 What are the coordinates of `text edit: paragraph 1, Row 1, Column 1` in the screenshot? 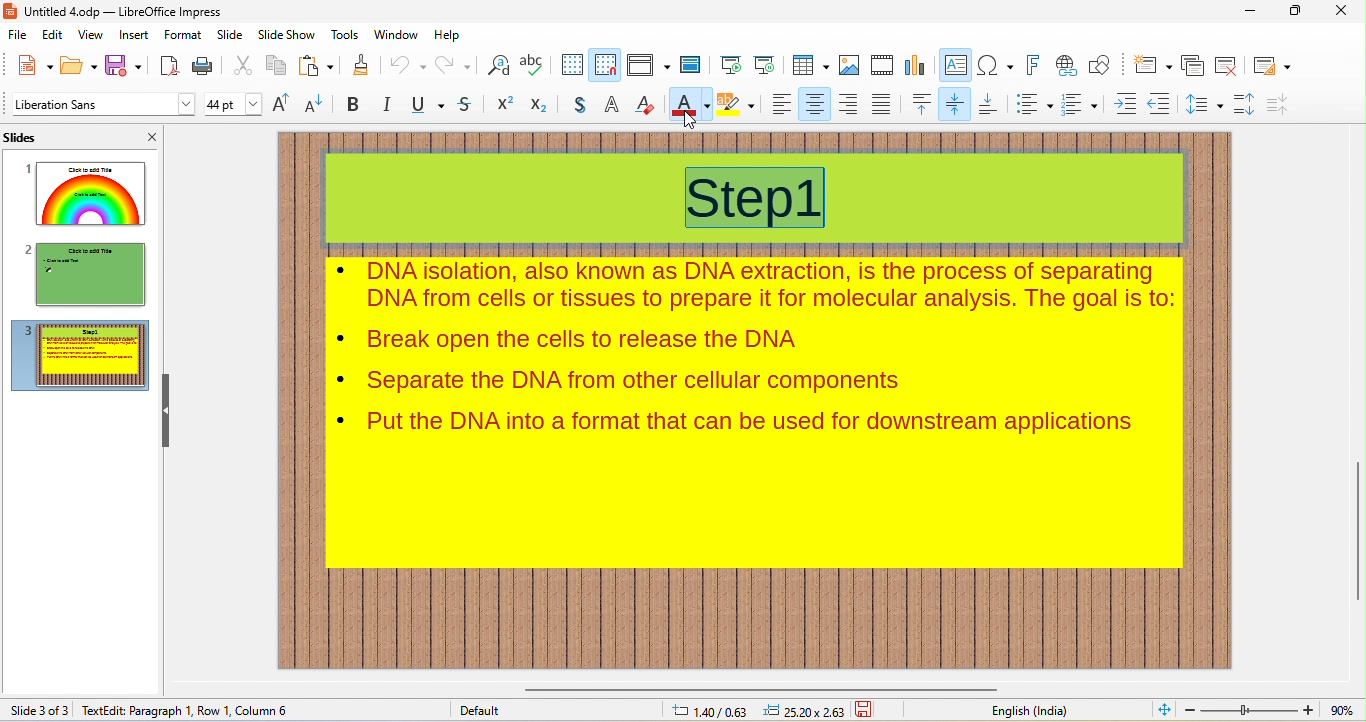 It's located at (191, 710).